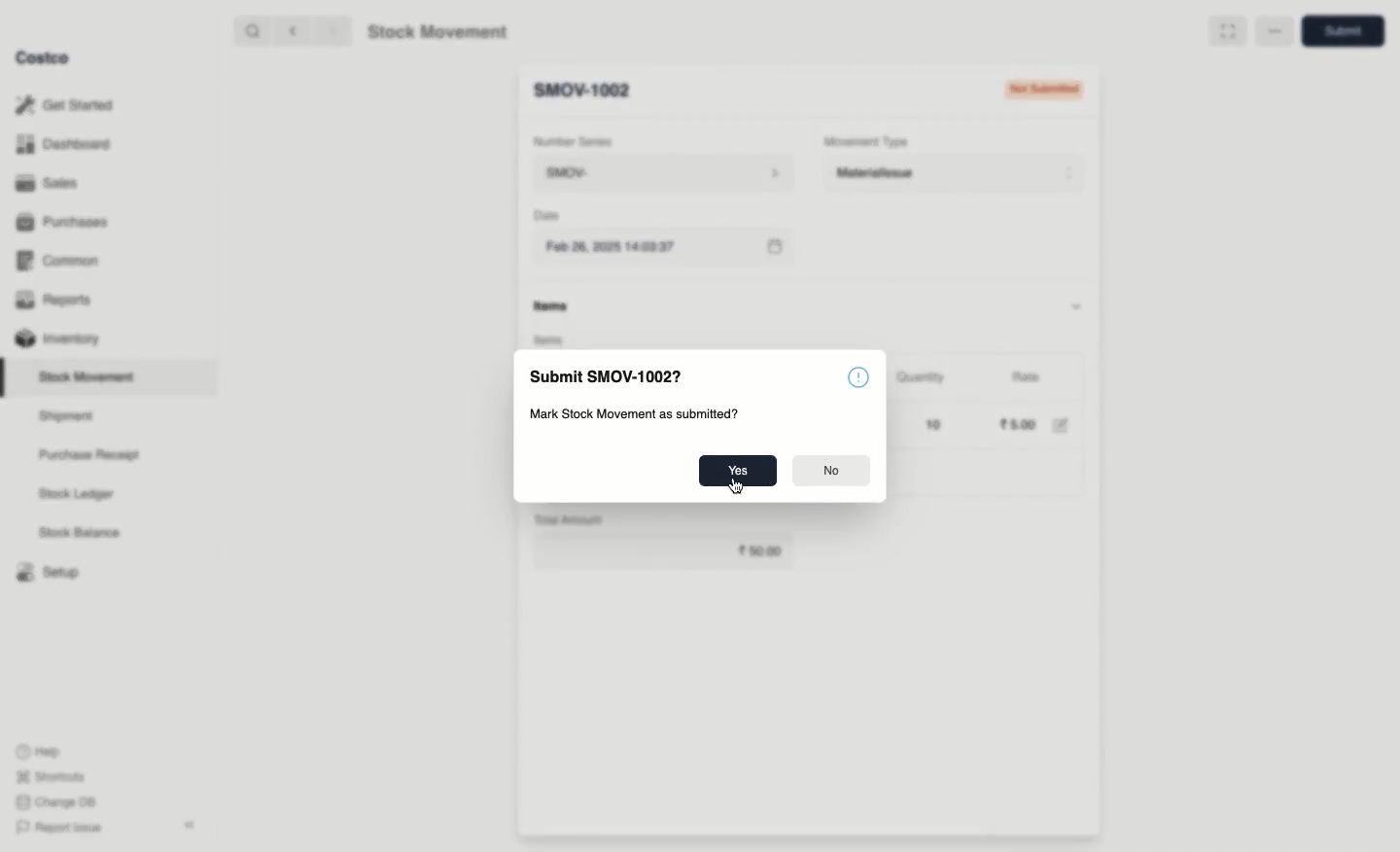 The image size is (1400, 852). I want to click on Purchase Receipt, so click(94, 454).